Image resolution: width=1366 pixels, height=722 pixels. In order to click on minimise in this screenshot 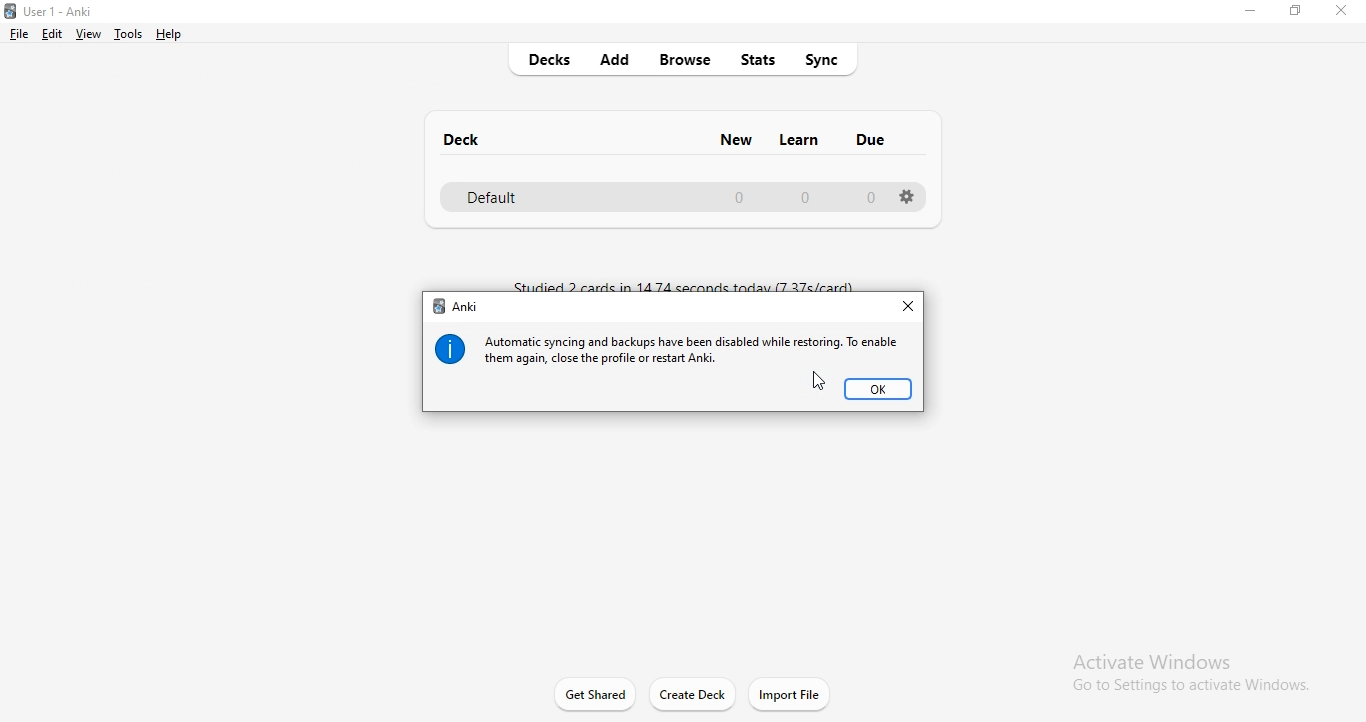, I will do `click(1248, 13)`.